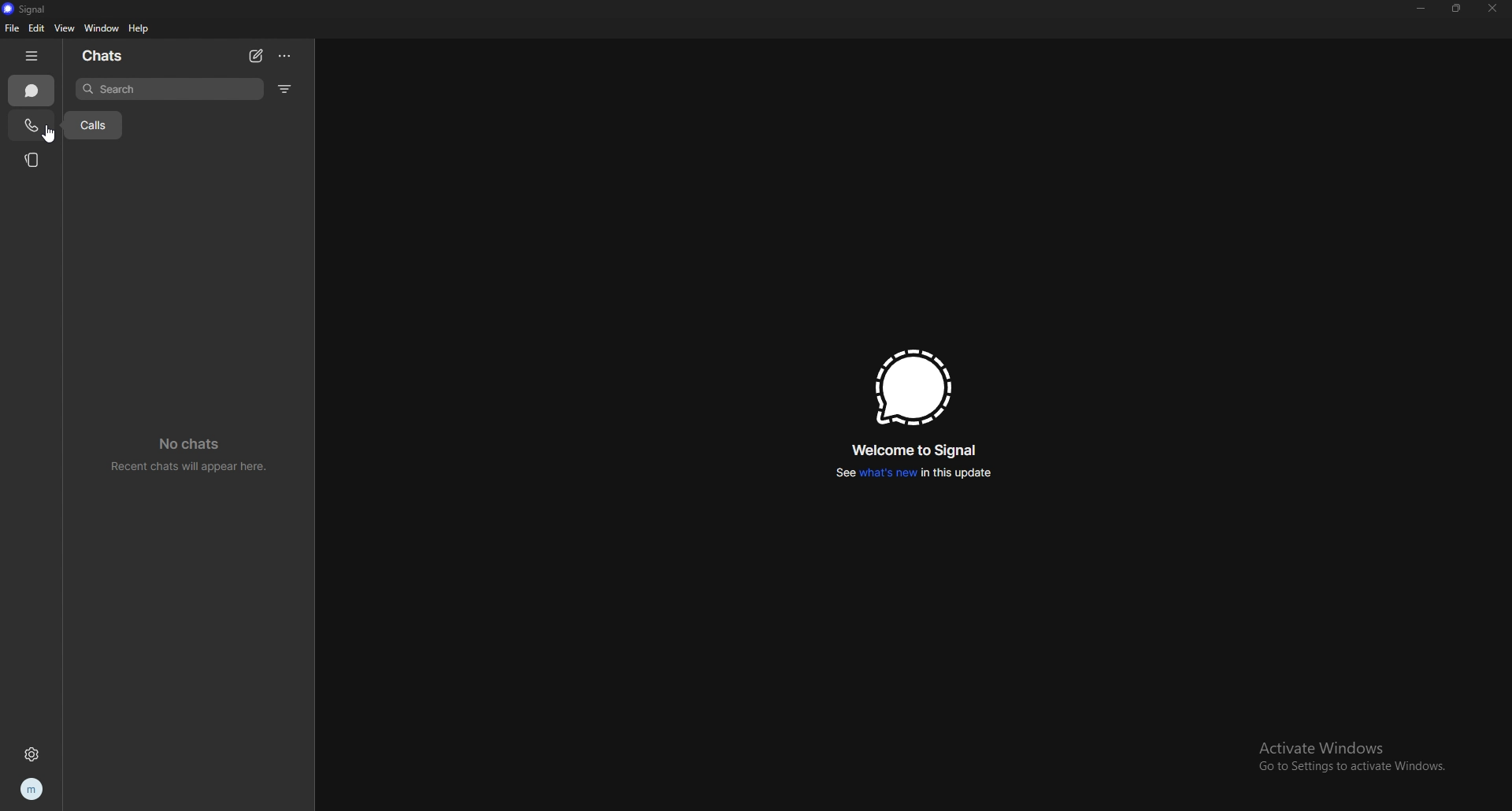  Describe the element at coordinates (94, 124) in the screenshot. I see `calls` at that location.